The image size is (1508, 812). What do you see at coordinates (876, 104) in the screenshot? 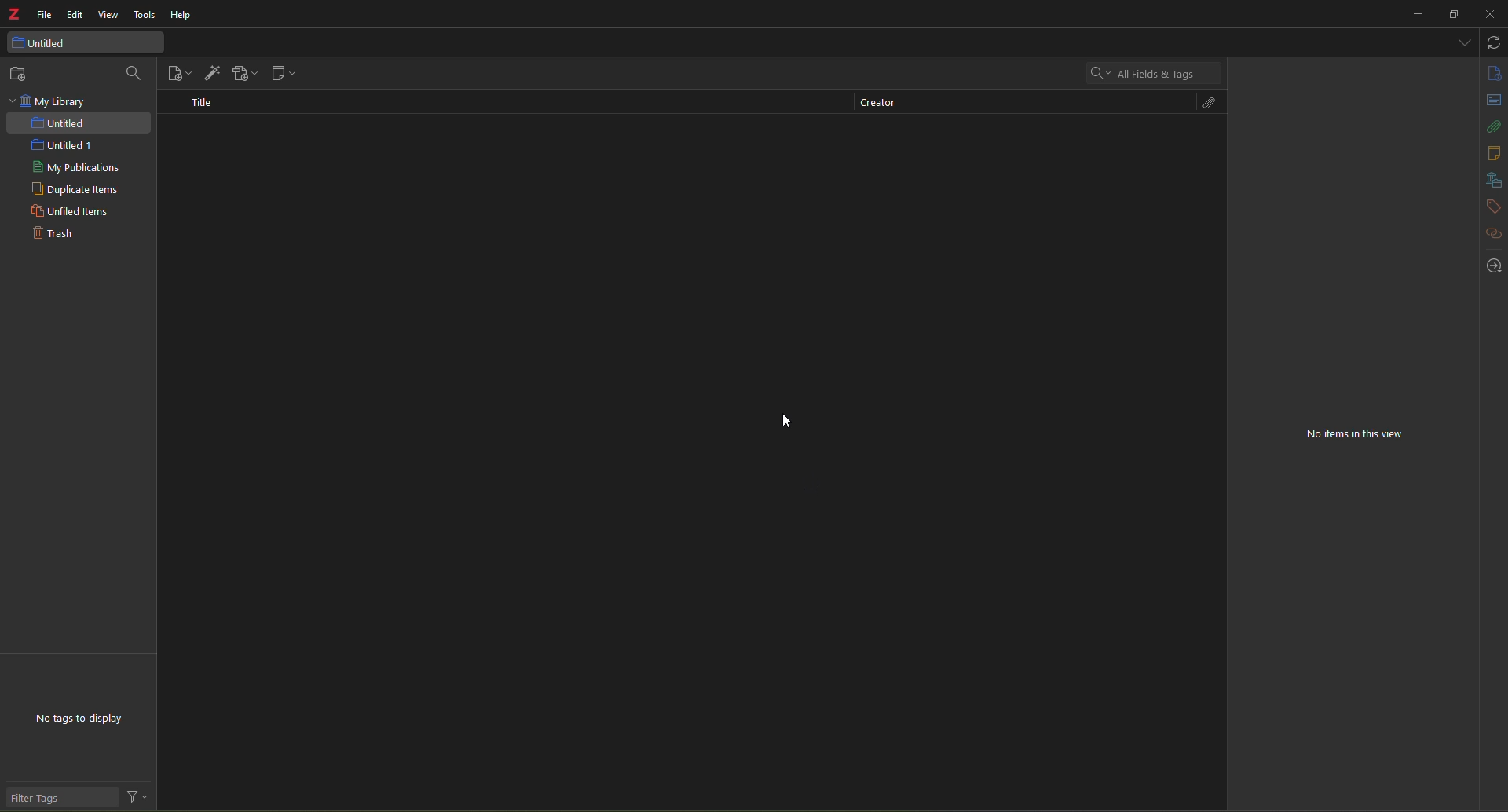
I see `creator` at bounding box center [876, 104].